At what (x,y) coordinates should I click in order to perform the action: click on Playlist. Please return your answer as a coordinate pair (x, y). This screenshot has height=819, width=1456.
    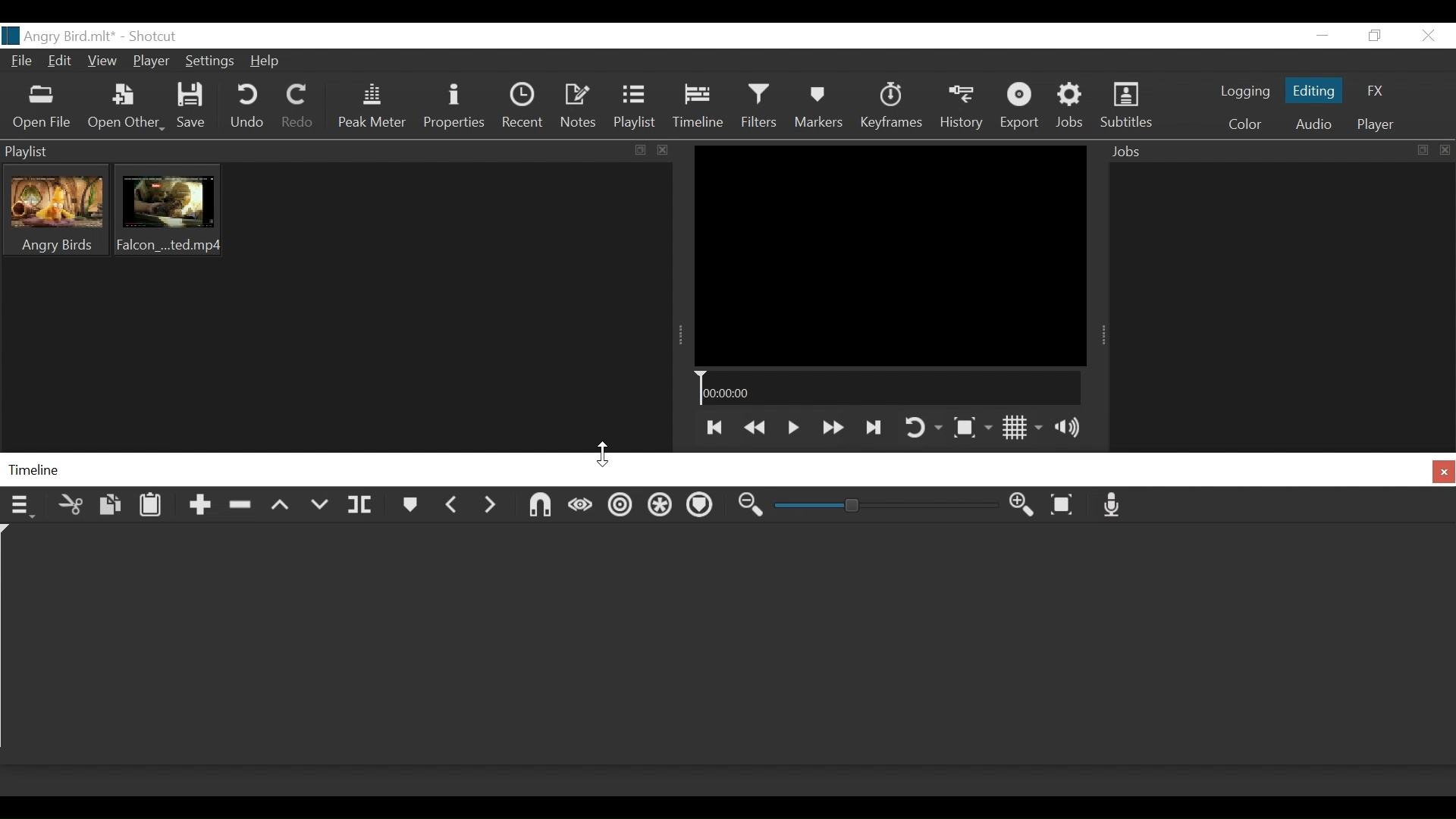
    Looking at the image, I should click on (638, 108).